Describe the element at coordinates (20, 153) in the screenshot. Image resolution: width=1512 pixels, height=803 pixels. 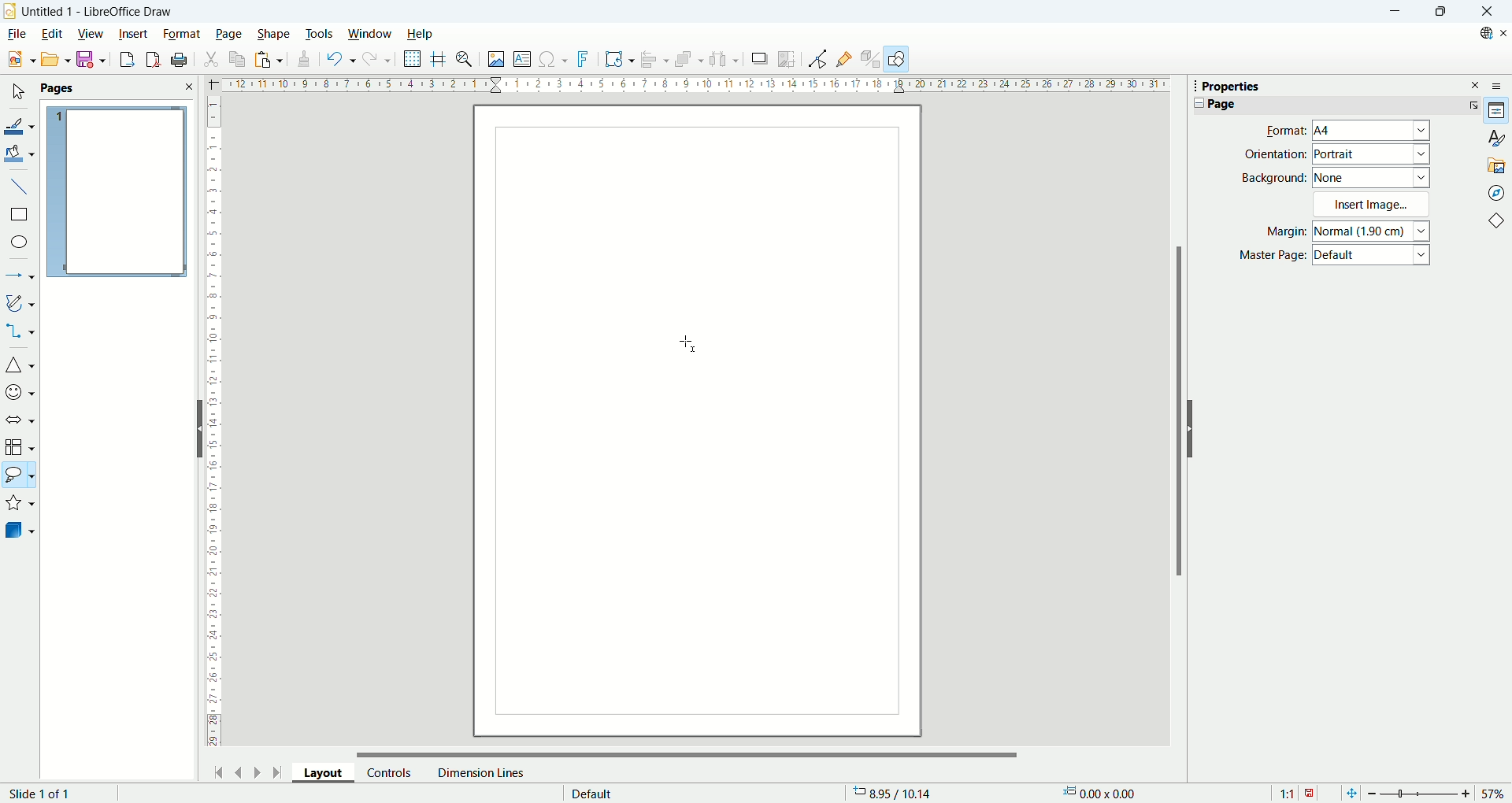
I see `fill color` at that location.